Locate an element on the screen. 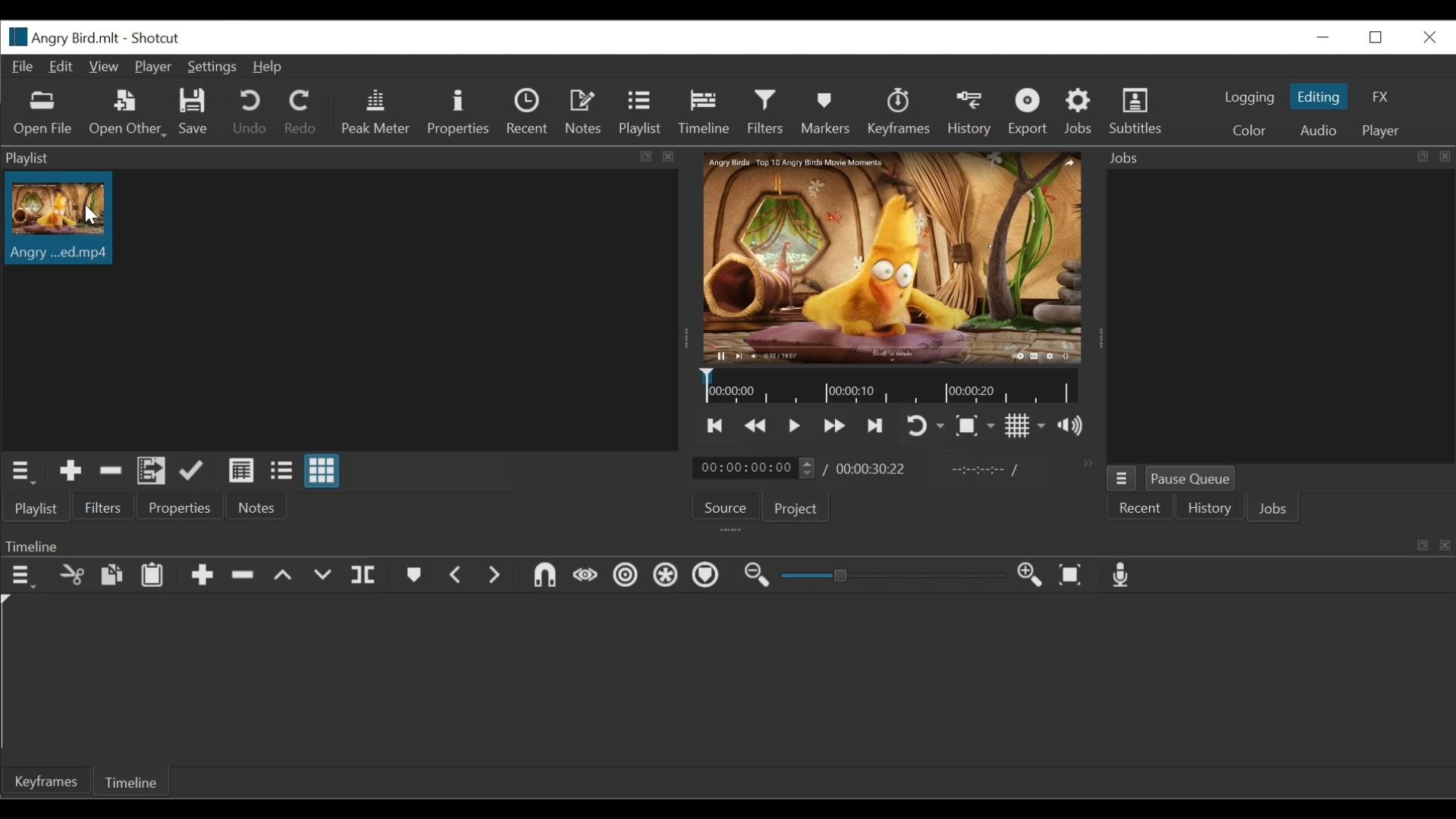 The height and width of the screenshot is (819, 1456). Overwrite is located at coordinates (324, 578).